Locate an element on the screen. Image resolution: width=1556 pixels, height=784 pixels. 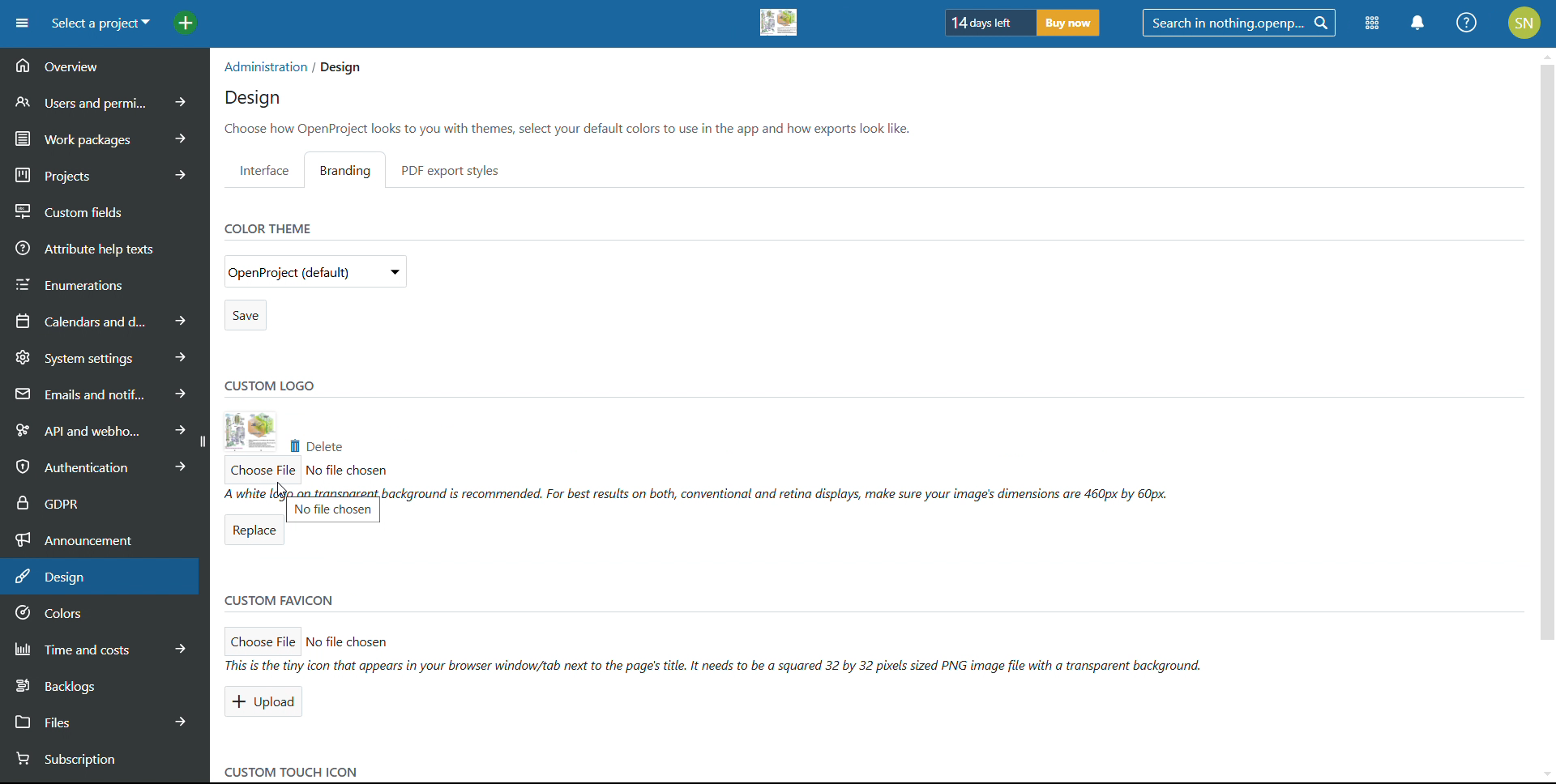
pdf export styles is located at coordinates (451, 170).